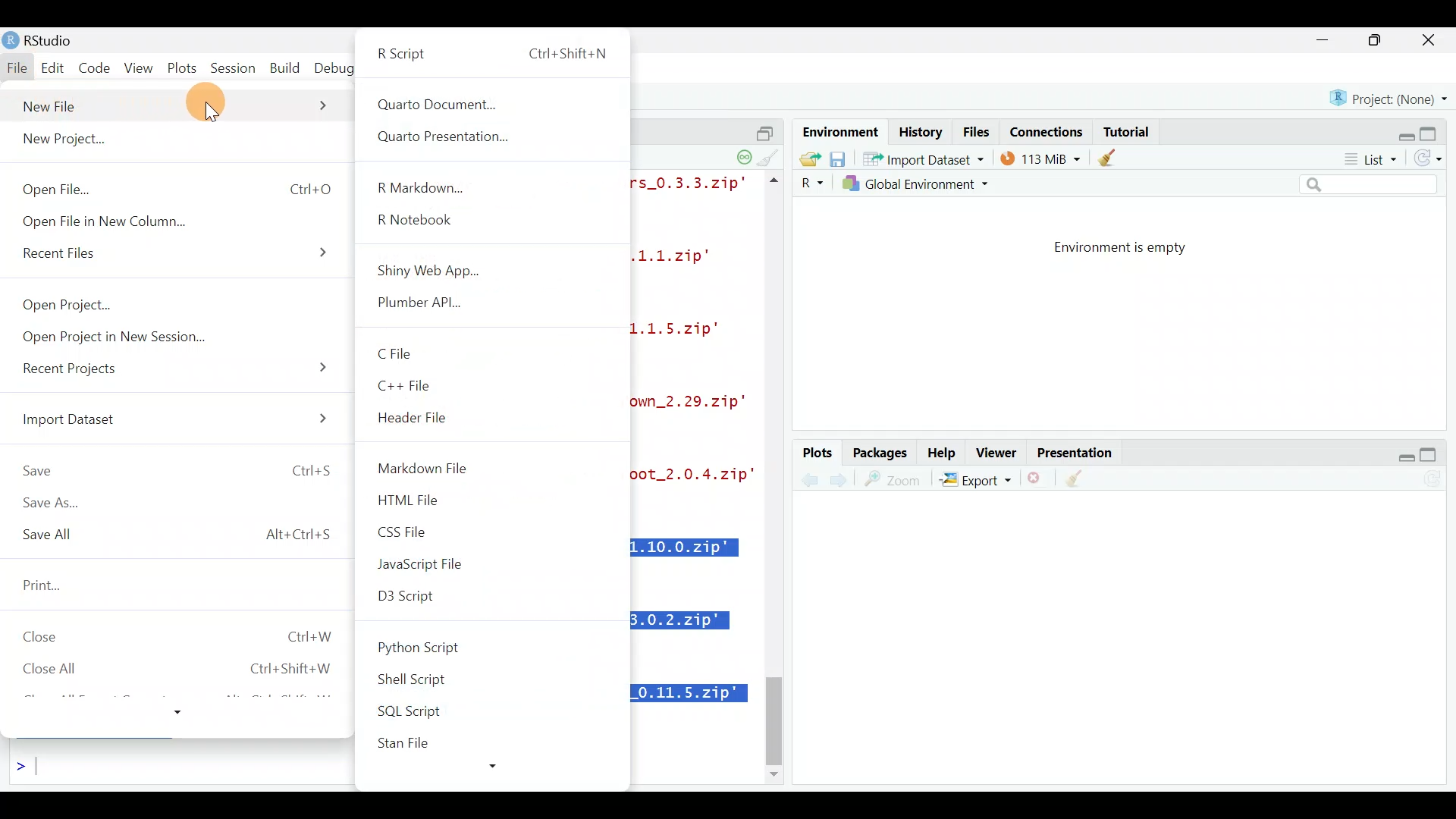 The height and width of the screenshot is (819, 1456). I want to click on JavaScript file, so click(431, 568).